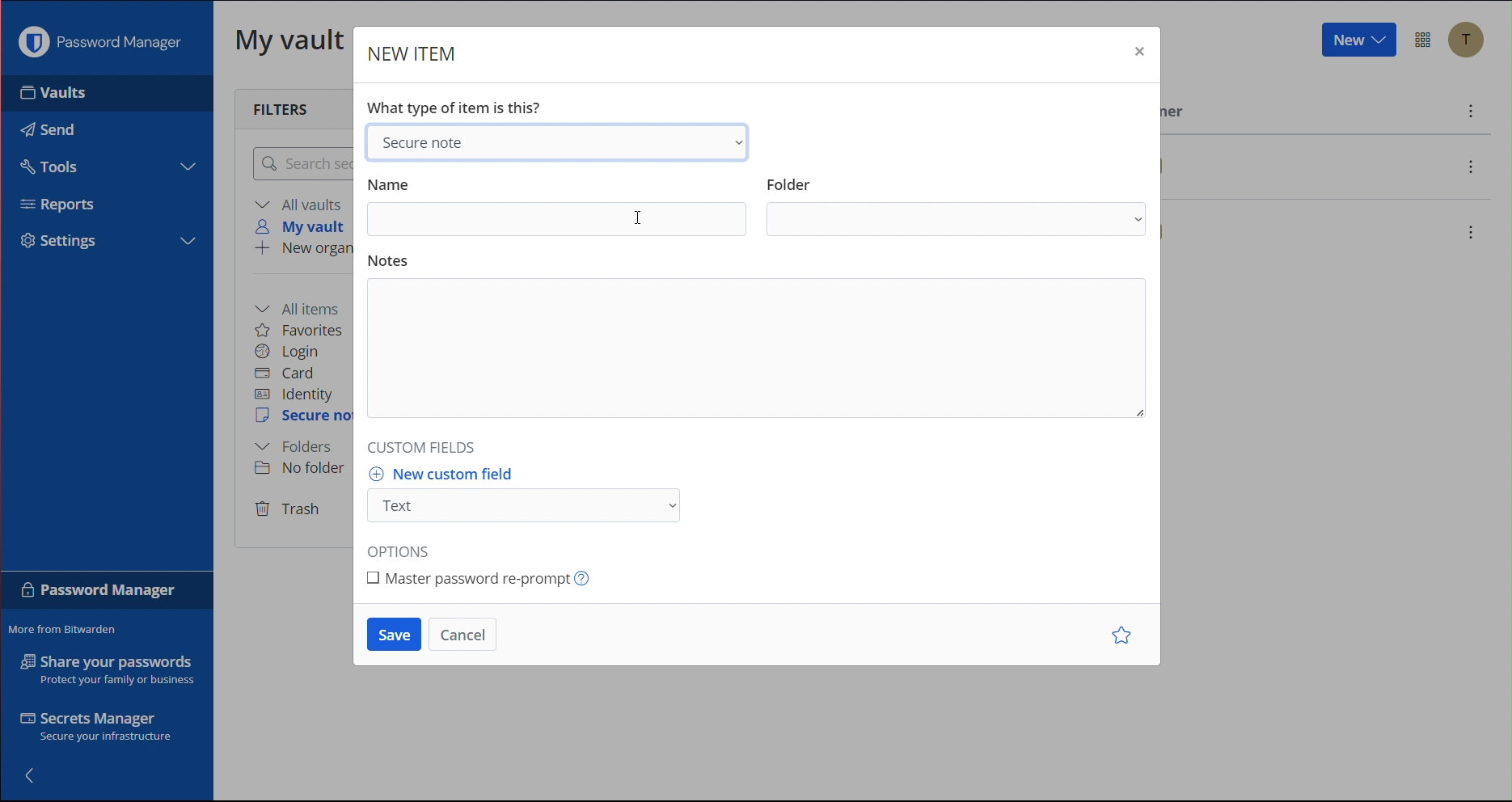 This screenshot has width=1512, height=802. I want to click on Master Password Re-Prompt, so click(492, 583).